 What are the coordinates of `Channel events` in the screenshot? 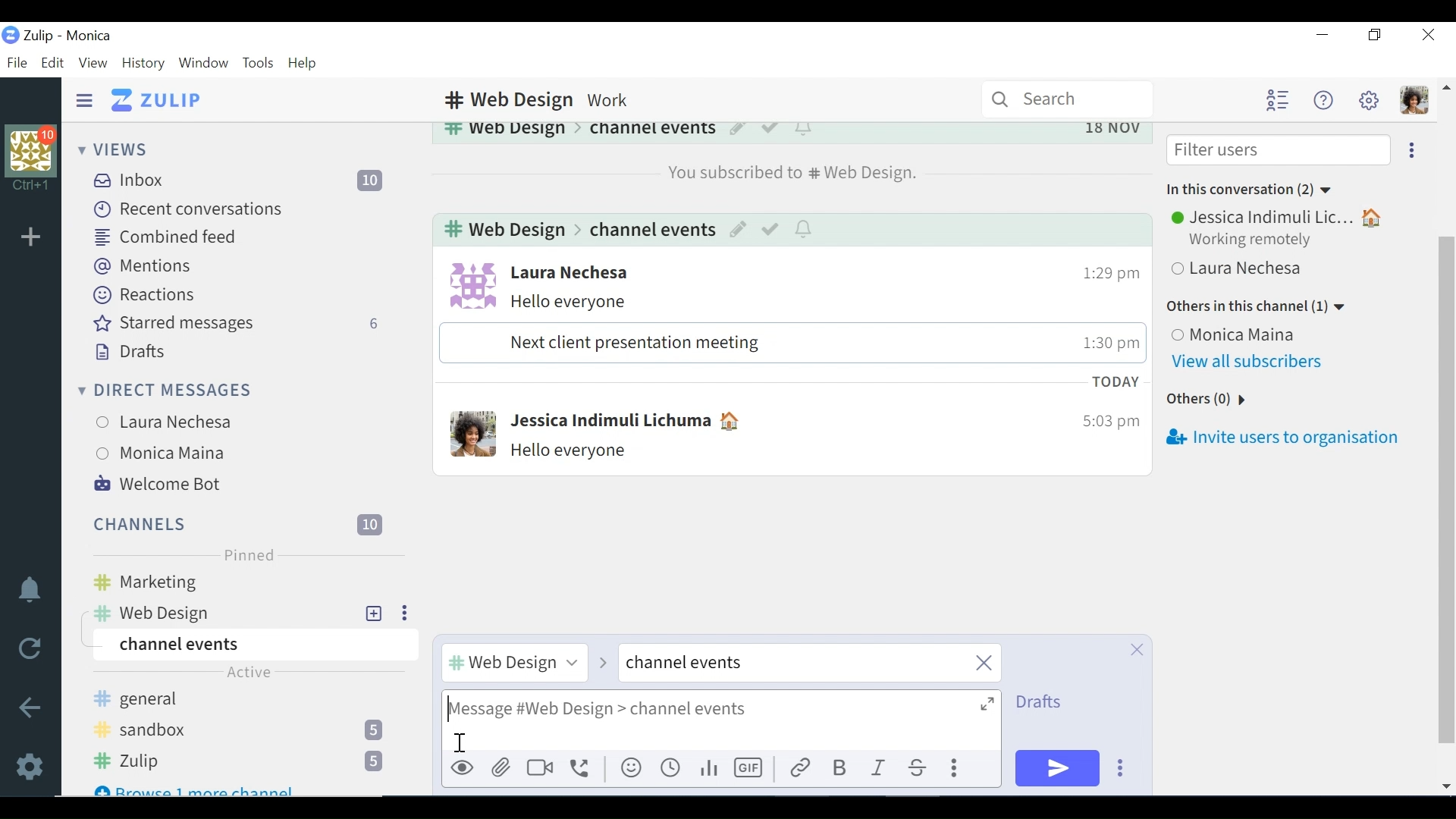 It's located at (650, 130).